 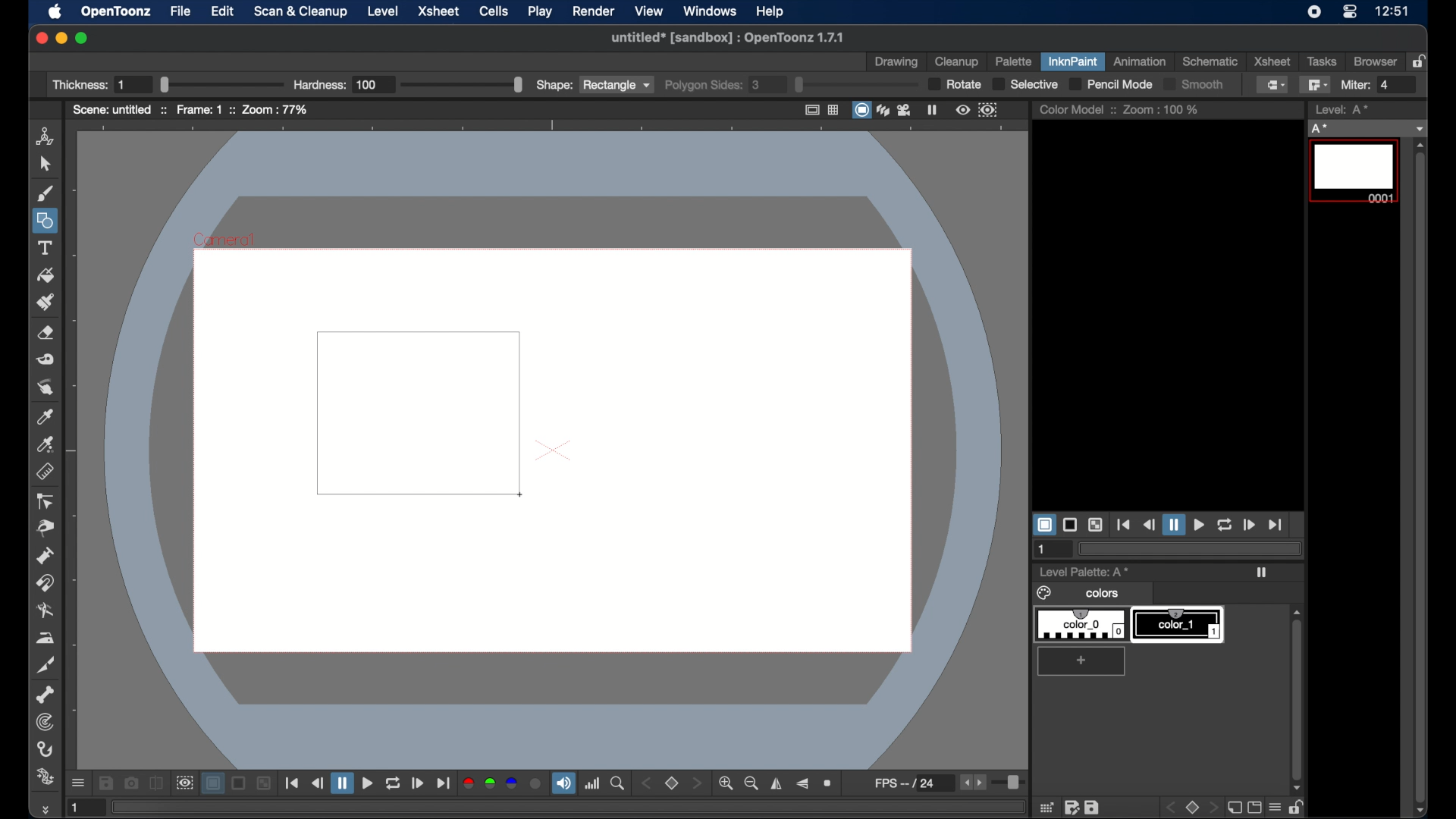 I want to click on brush tool, so click(x=45, y=194).